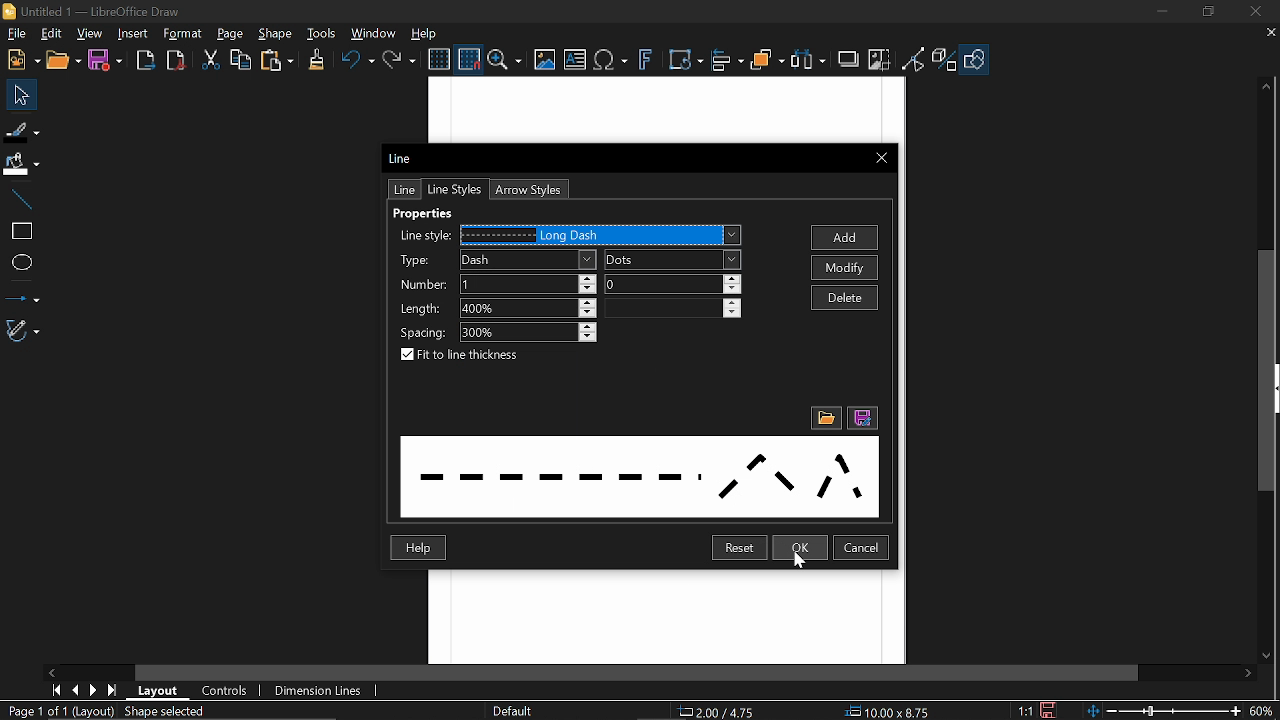 The width and height of the screenshot is (1280, 720). Describe the element at coordinates (357, 60) in the screenshot. I see `Undo` at that location.